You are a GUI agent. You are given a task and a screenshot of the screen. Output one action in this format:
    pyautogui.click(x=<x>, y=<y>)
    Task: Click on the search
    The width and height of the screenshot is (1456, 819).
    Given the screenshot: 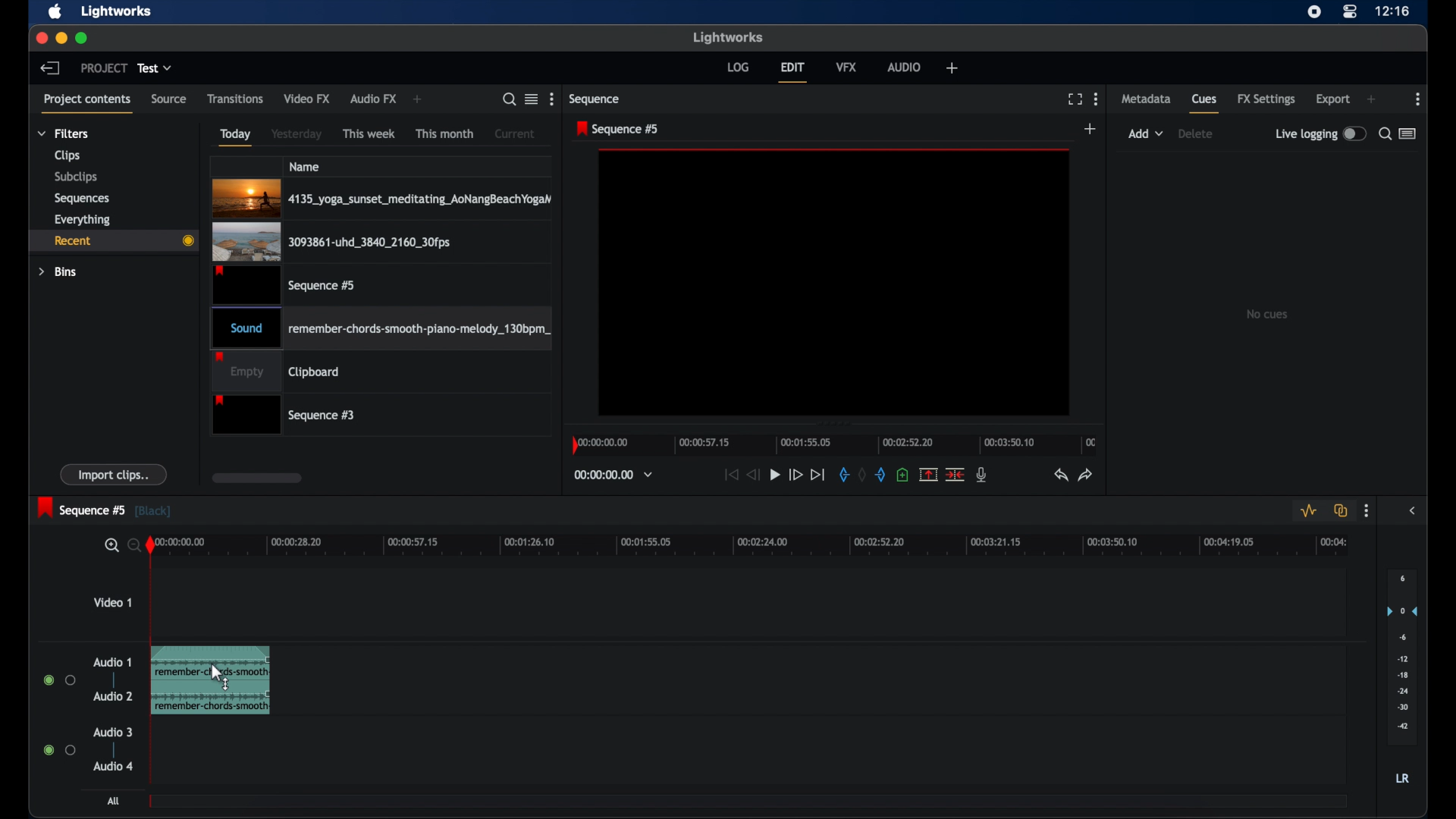 What is the action you would take?
    pyautogui.click(x=509, y=99)
    